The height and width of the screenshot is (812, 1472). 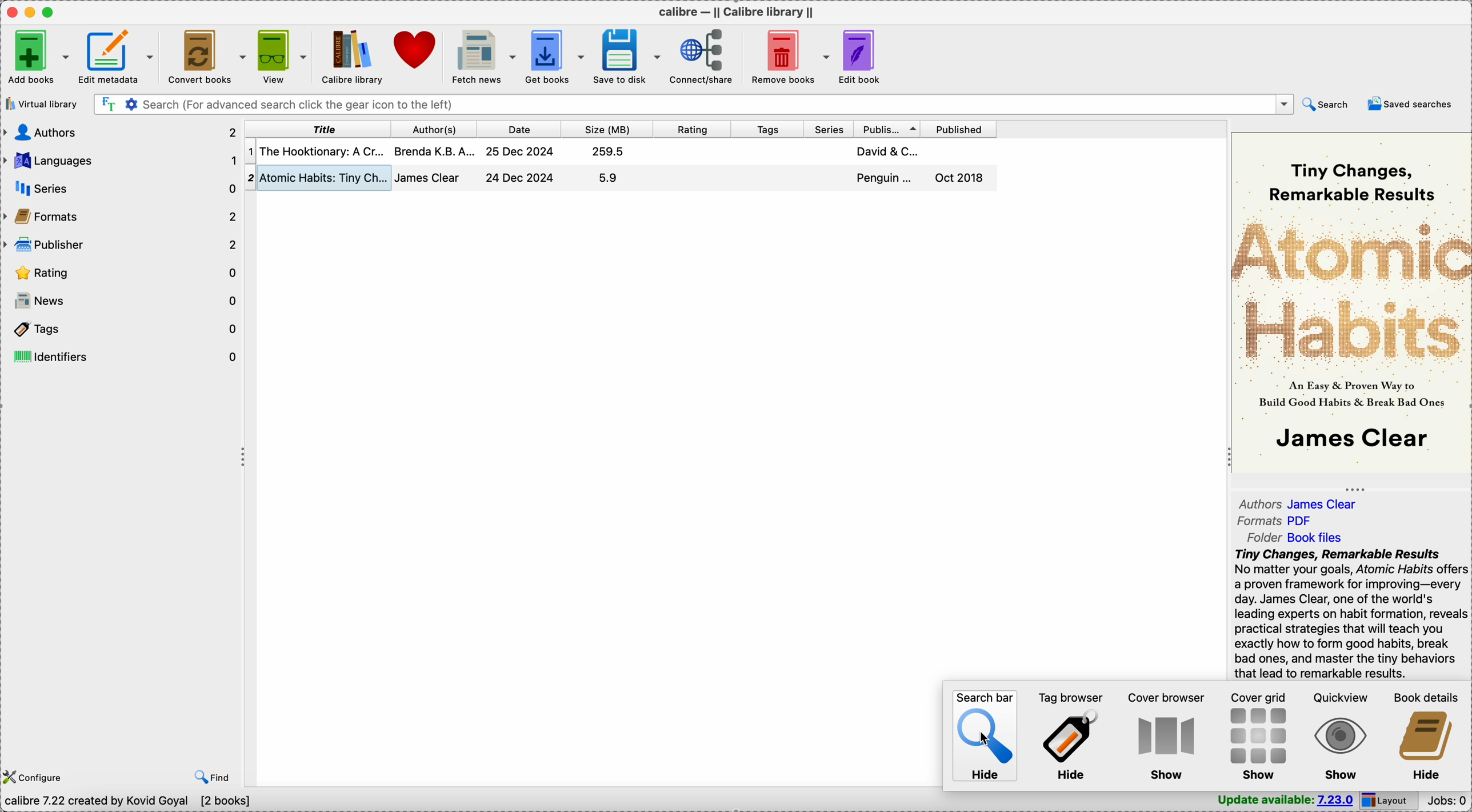 I want to click on formats PDF, so click(x=1273, y=521).